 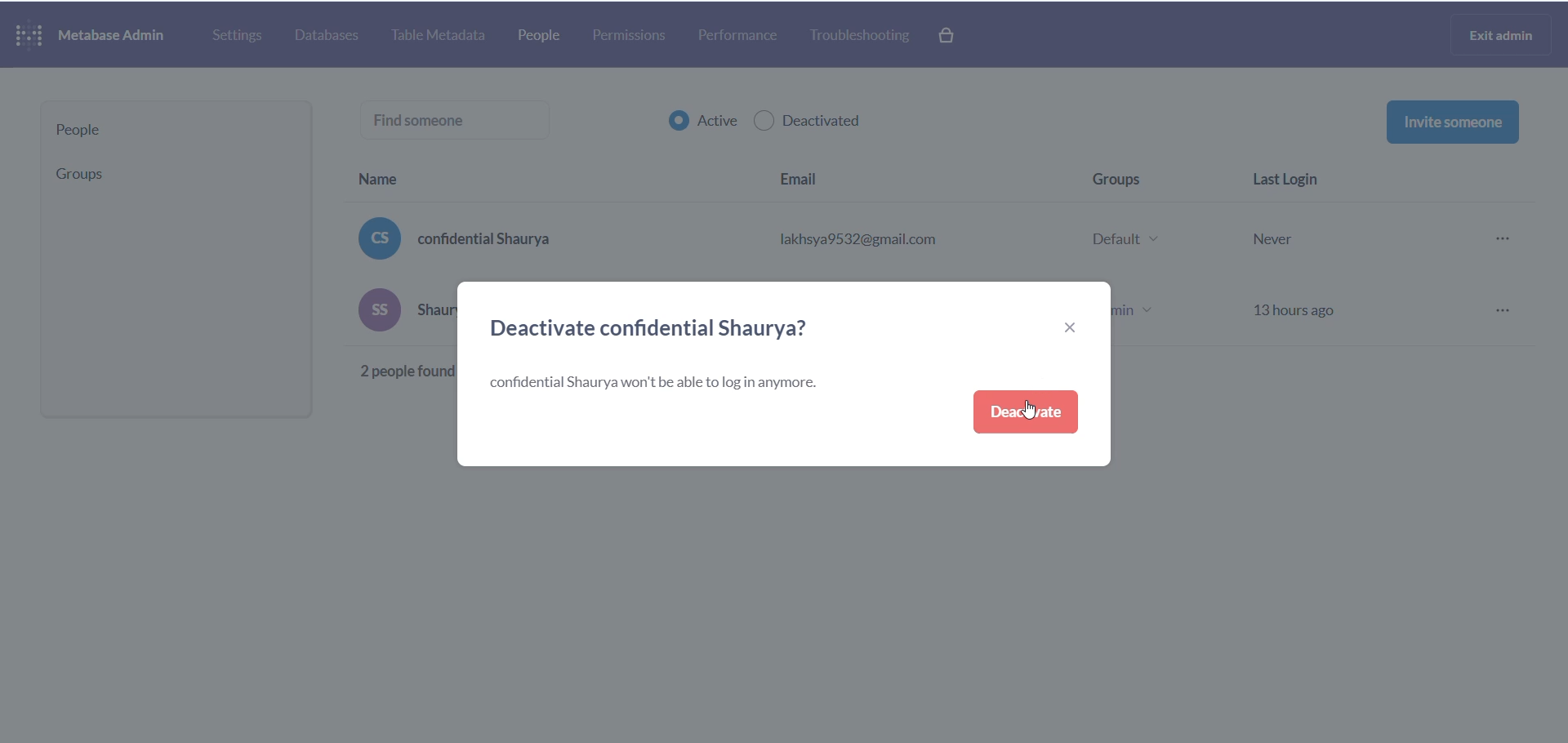 What do you see at coordinates (1071, 327) in the screenshot?
I see `close` at bounding box center [1071, 327].